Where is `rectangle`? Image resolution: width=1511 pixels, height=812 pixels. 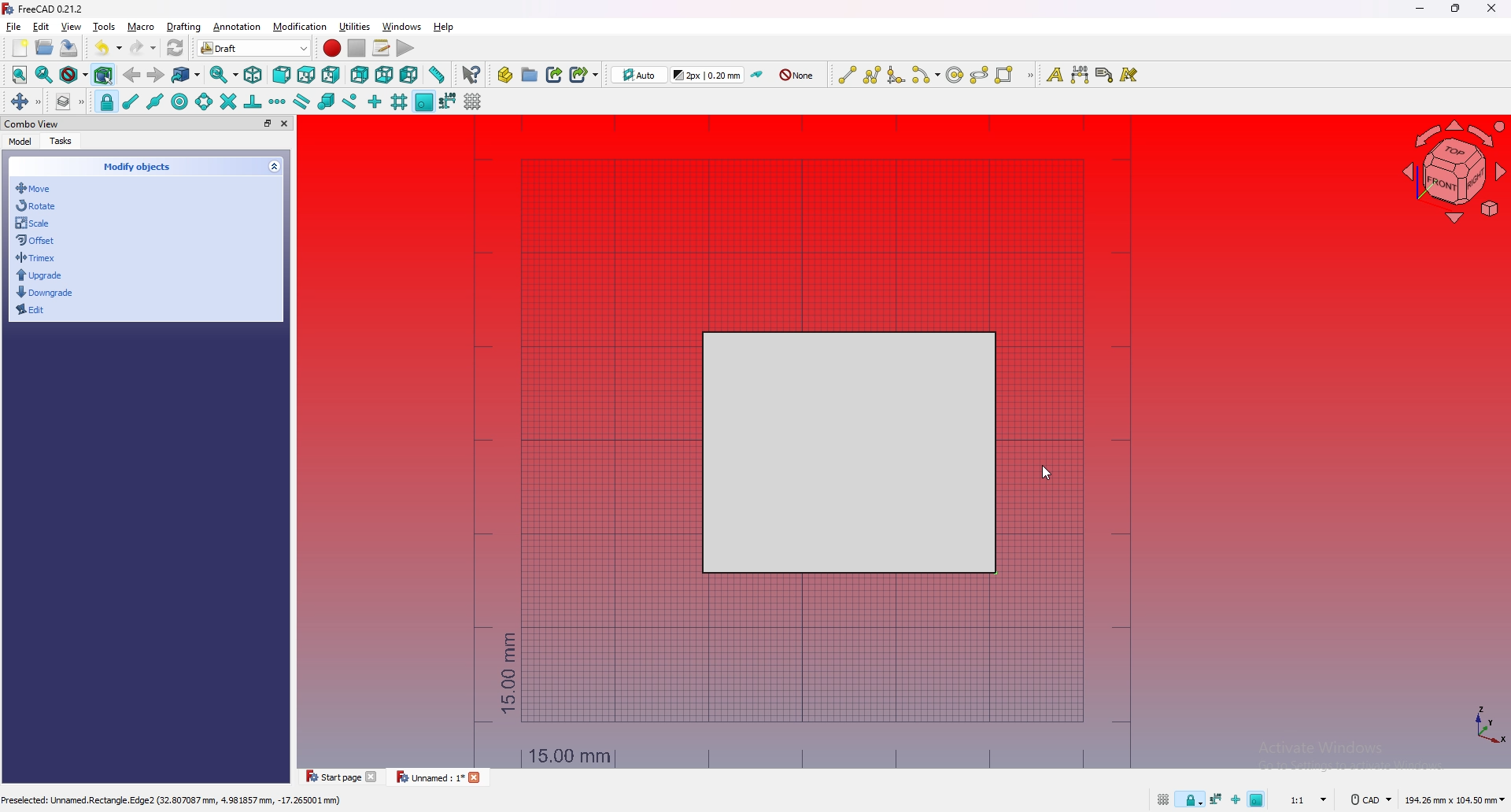
rectangle is located at coordinates (1005, 75).